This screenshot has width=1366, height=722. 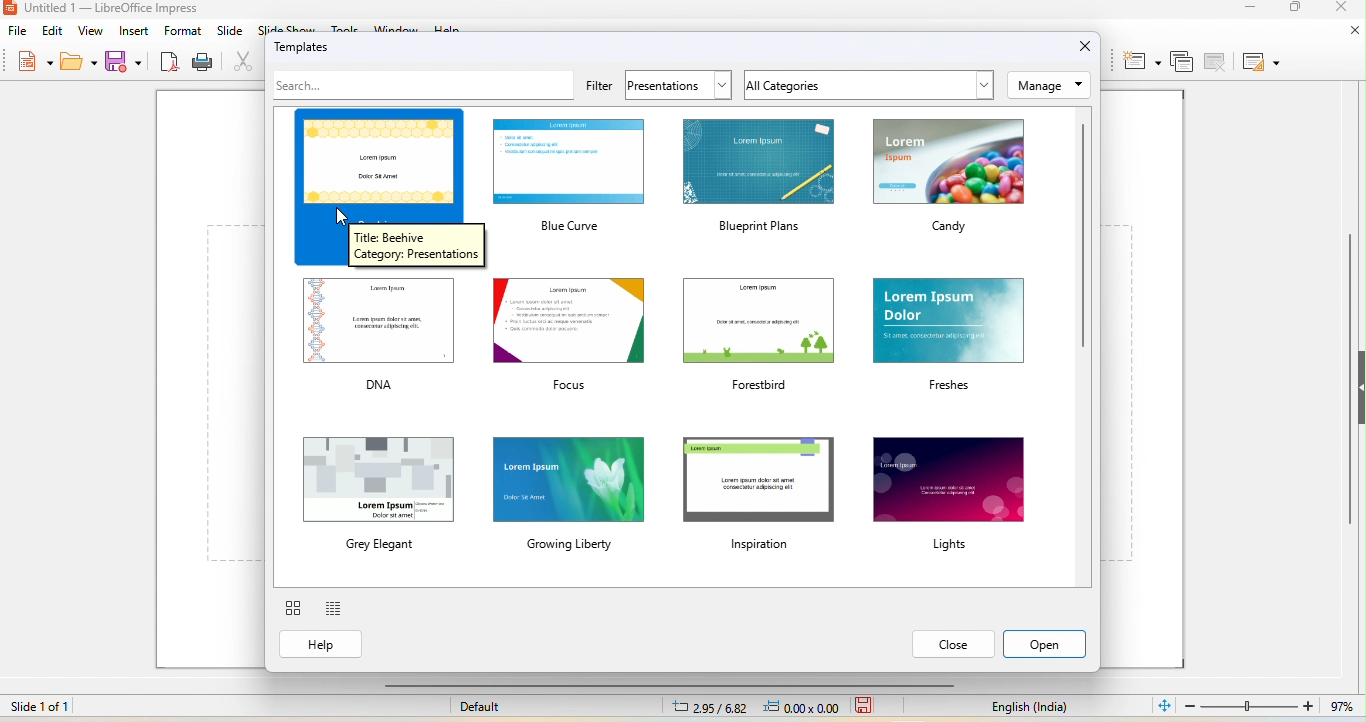 I want to click on view, so click(x=90, y=31).